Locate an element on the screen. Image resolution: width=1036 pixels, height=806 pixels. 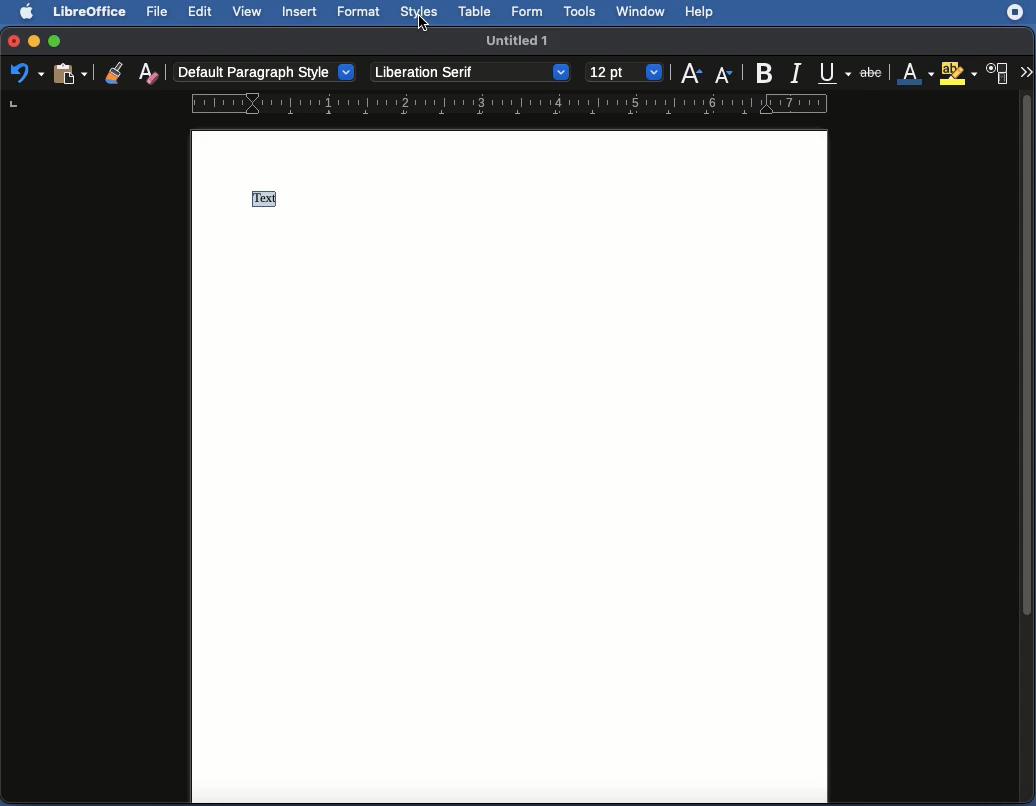
View is located at coordinates (249, 12).